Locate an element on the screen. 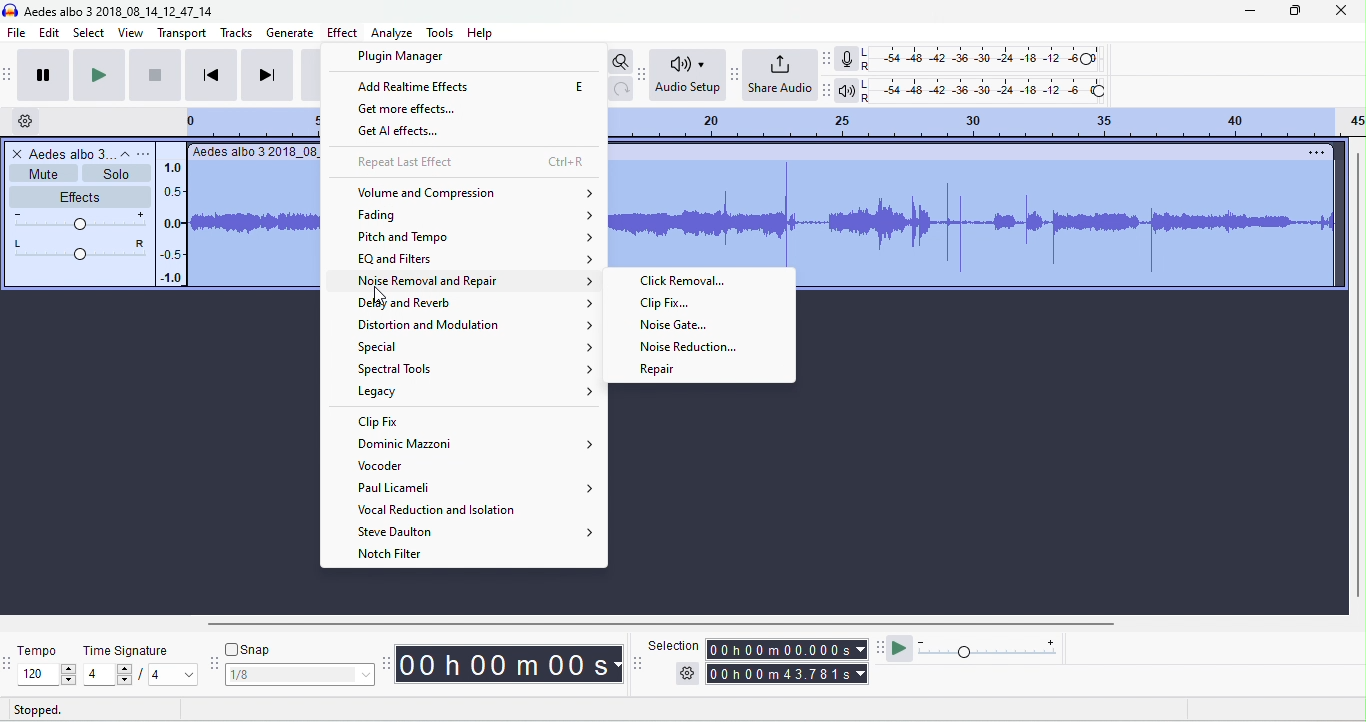 The image size is (1366, 722). distortion and modulation is located at coordinates (471, 325).